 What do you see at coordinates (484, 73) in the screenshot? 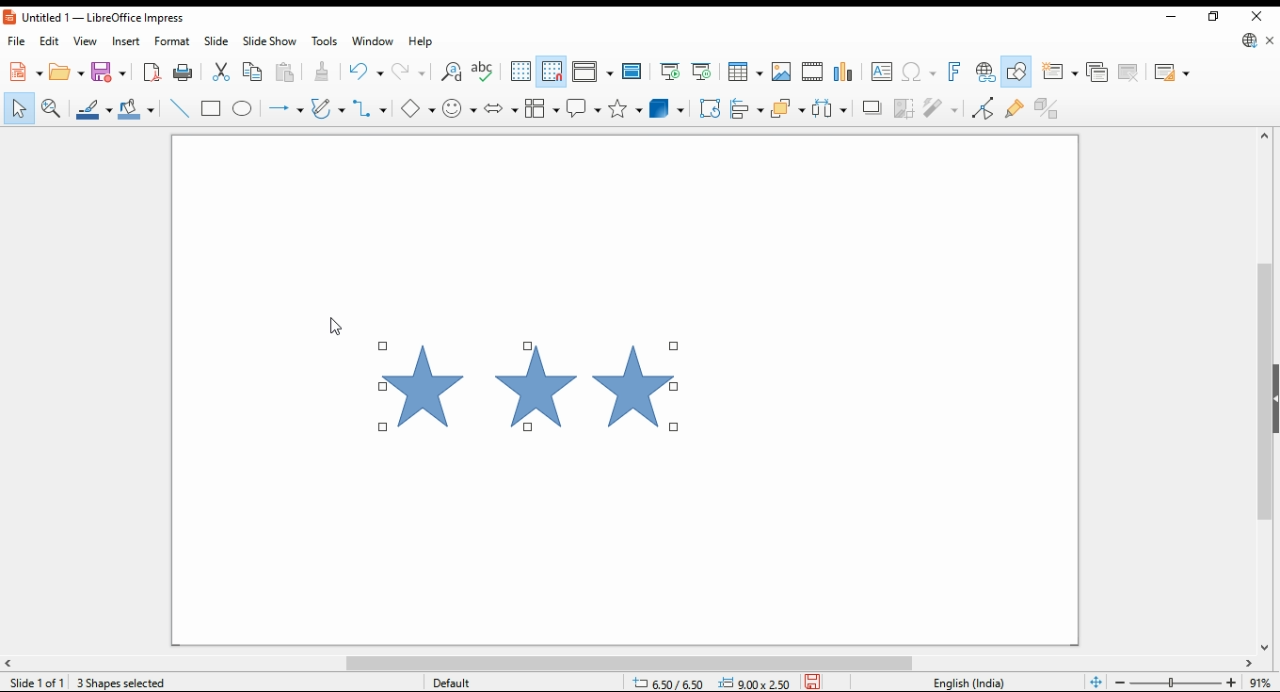
I see `check spelling` at bounding box center [484, 73].